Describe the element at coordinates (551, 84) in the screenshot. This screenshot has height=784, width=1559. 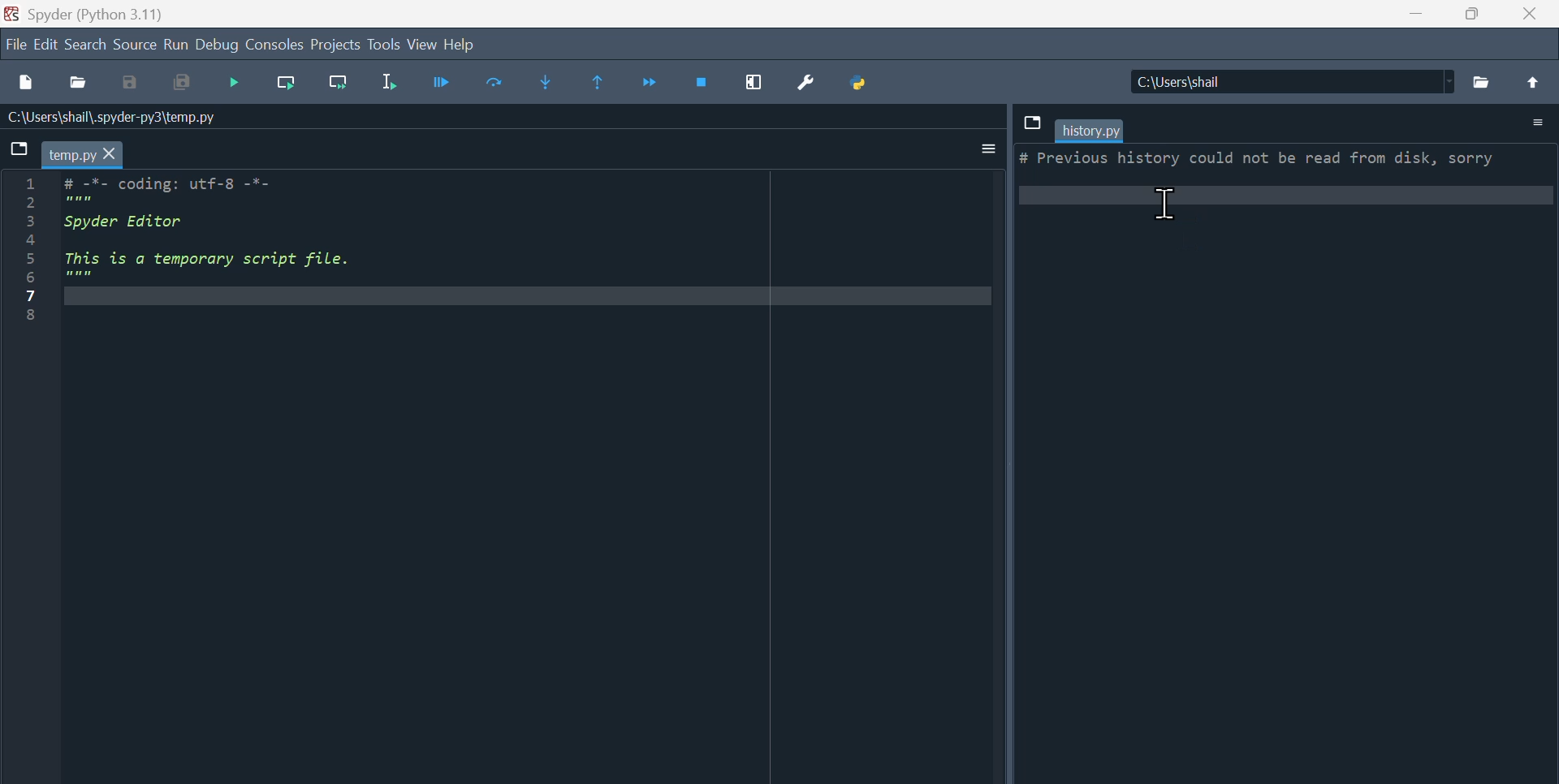
I see `Step into function` at that location.